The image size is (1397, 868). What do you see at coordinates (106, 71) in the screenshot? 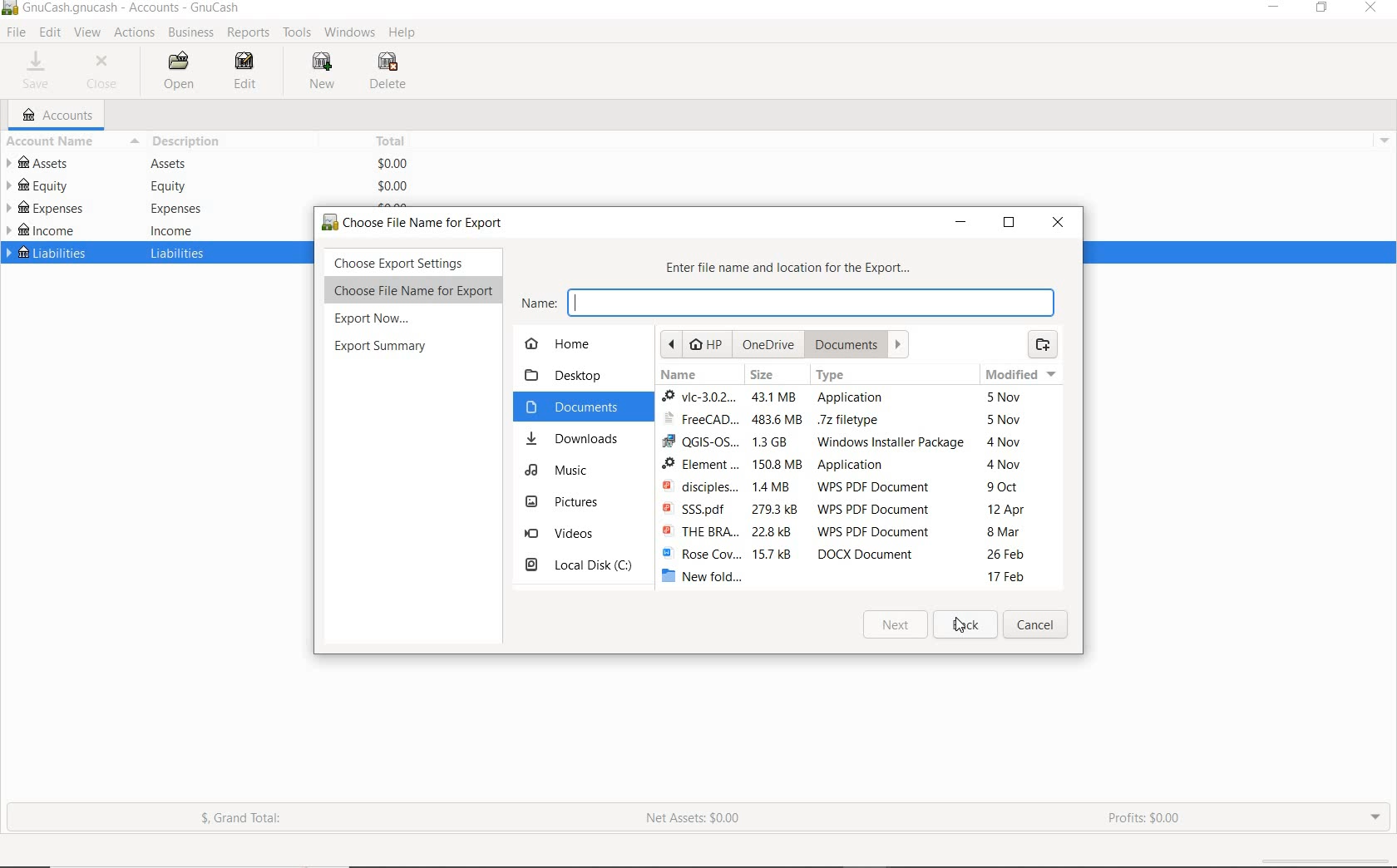
I see `CLOSE` at bounding box center [106, 71].